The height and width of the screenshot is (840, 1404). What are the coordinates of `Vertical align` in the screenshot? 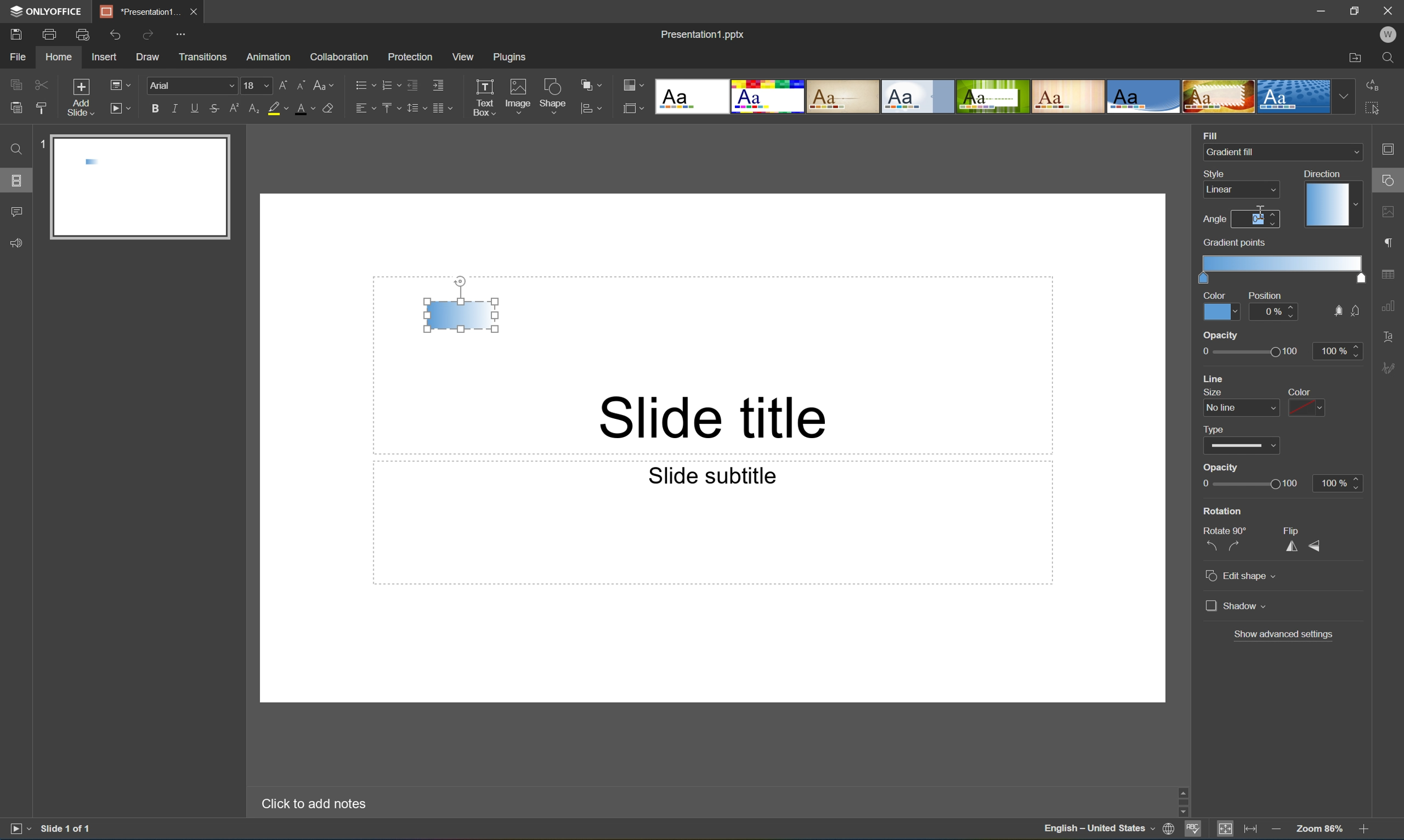 It's located at (389, 108).